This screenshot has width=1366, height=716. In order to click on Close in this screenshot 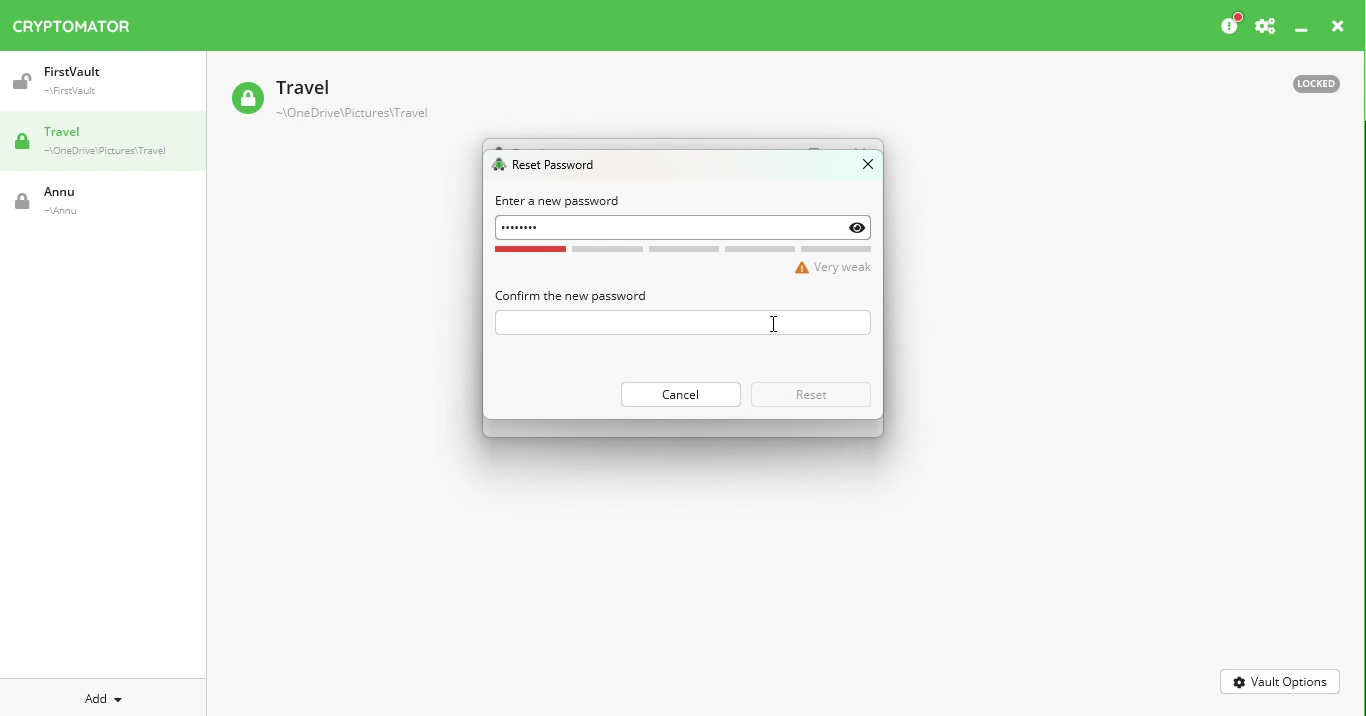, I will do `click(859, 168)`.